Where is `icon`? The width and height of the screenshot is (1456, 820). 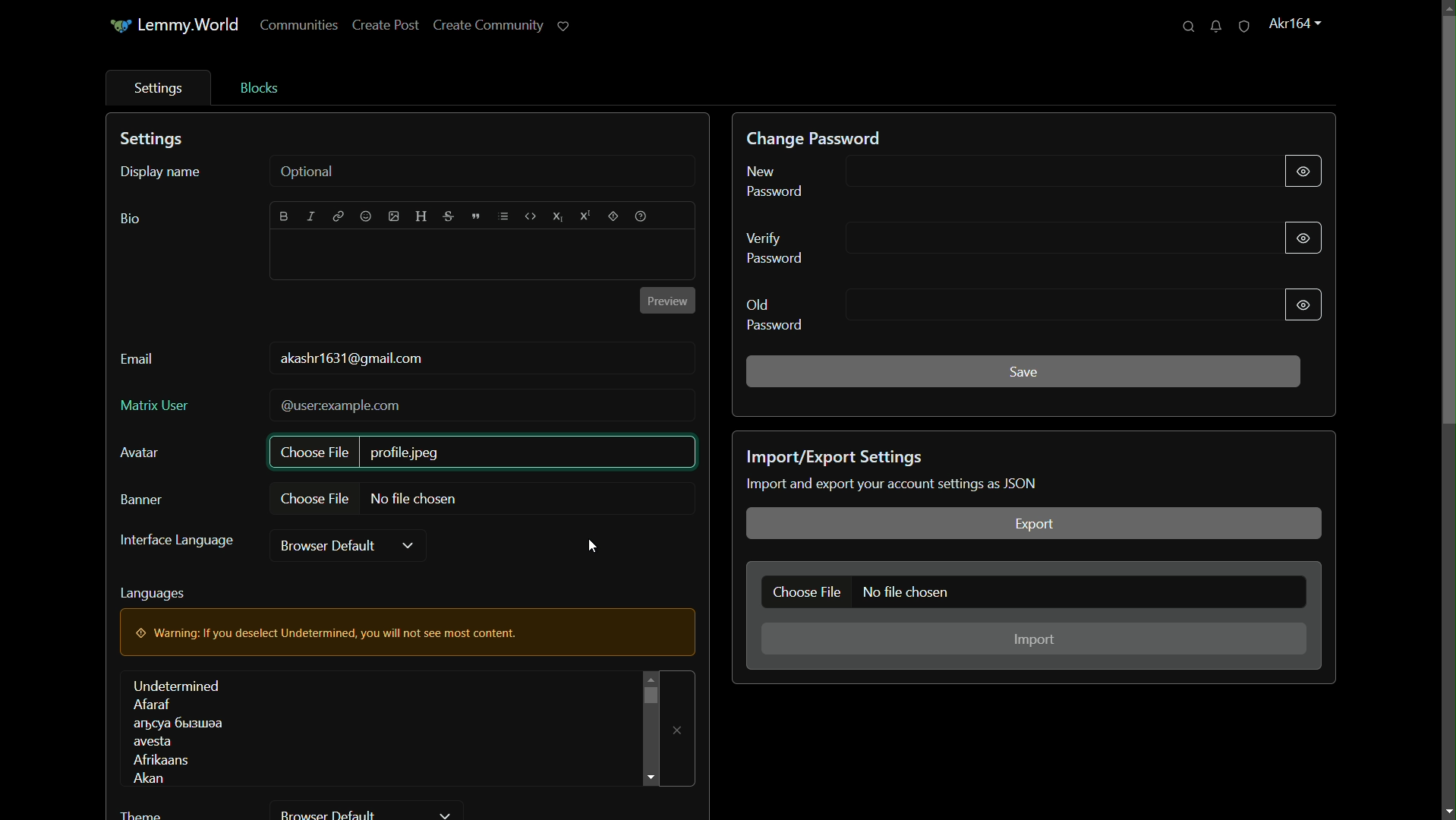
icon is located at coordinates (118, 27).